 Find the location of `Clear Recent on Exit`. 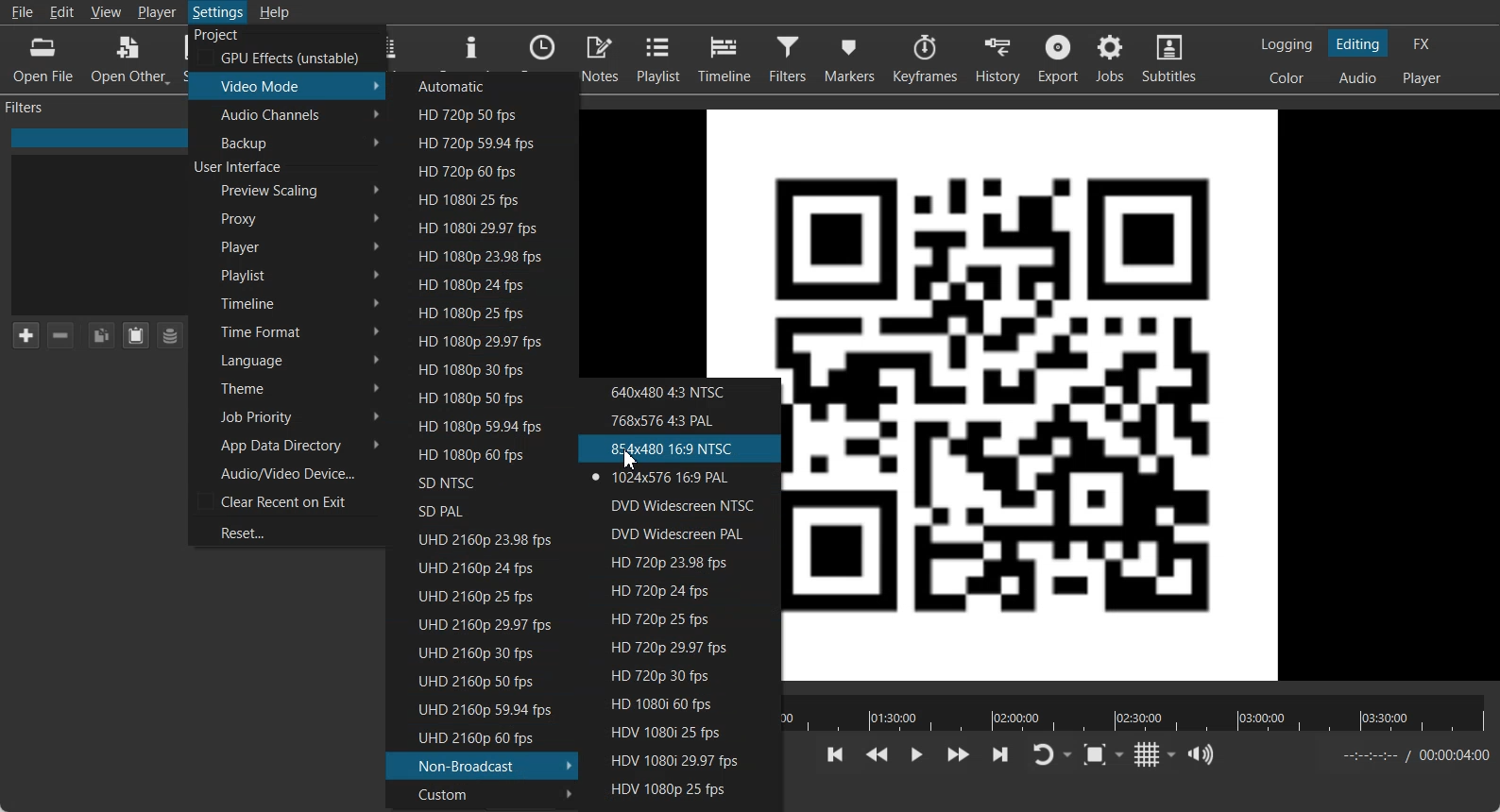

Clear Recent on Exit is located at coordinates (286, 501).